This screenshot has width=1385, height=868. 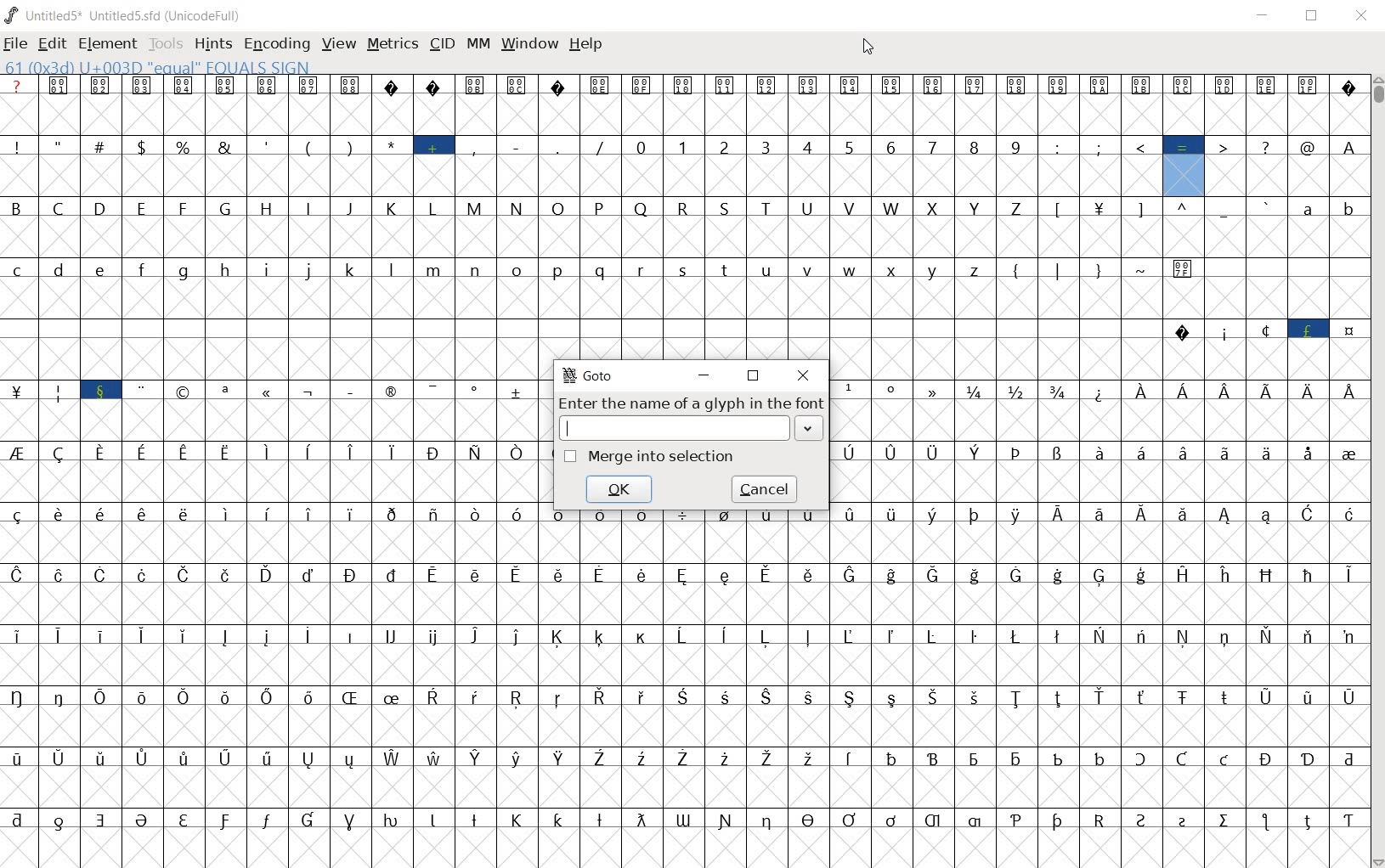 What do you see at coordinates (1363, 13) in the screenshot?
I see `close` at bounding box center [1363, 13].